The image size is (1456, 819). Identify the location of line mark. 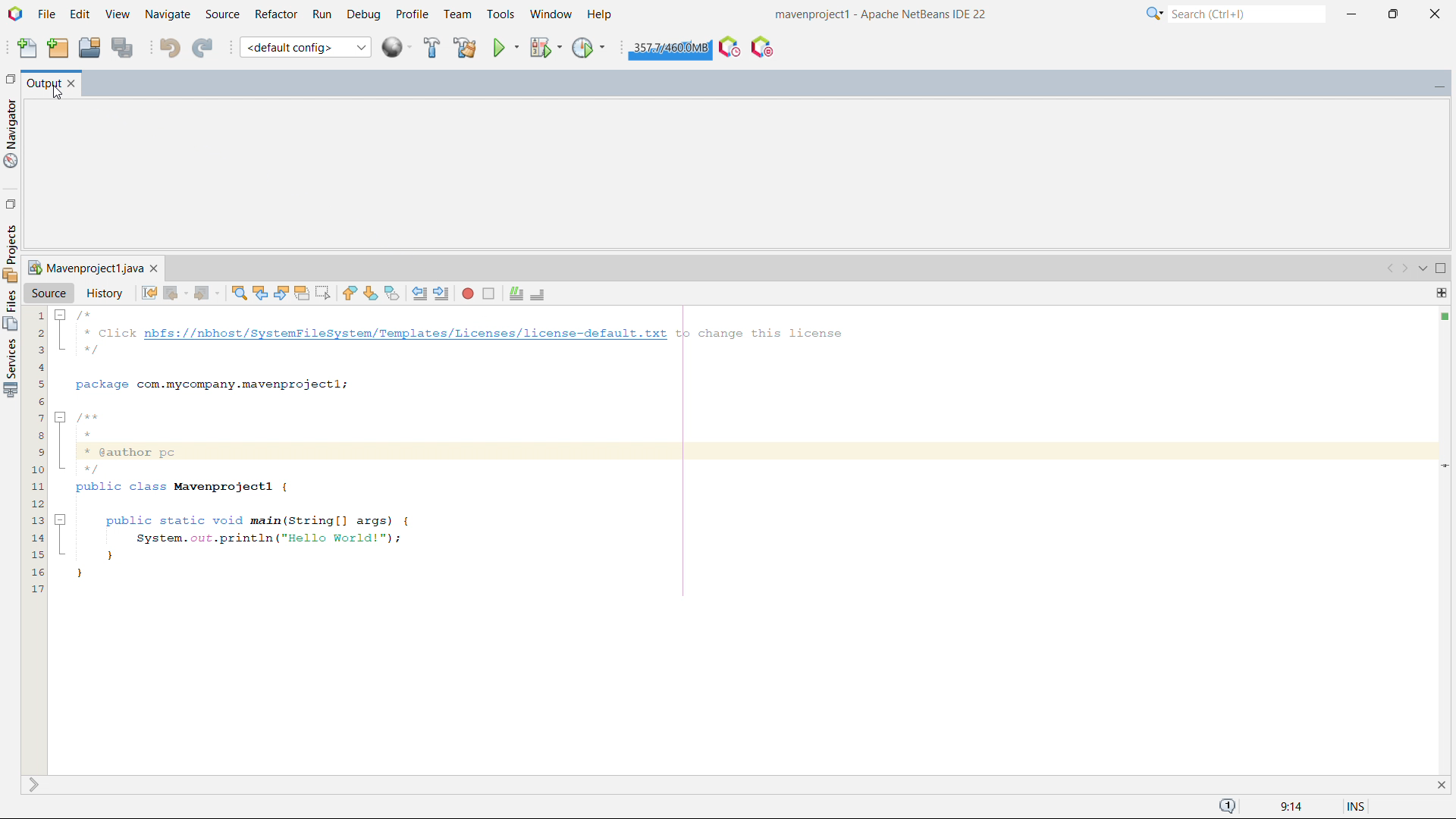
(1442, 465).